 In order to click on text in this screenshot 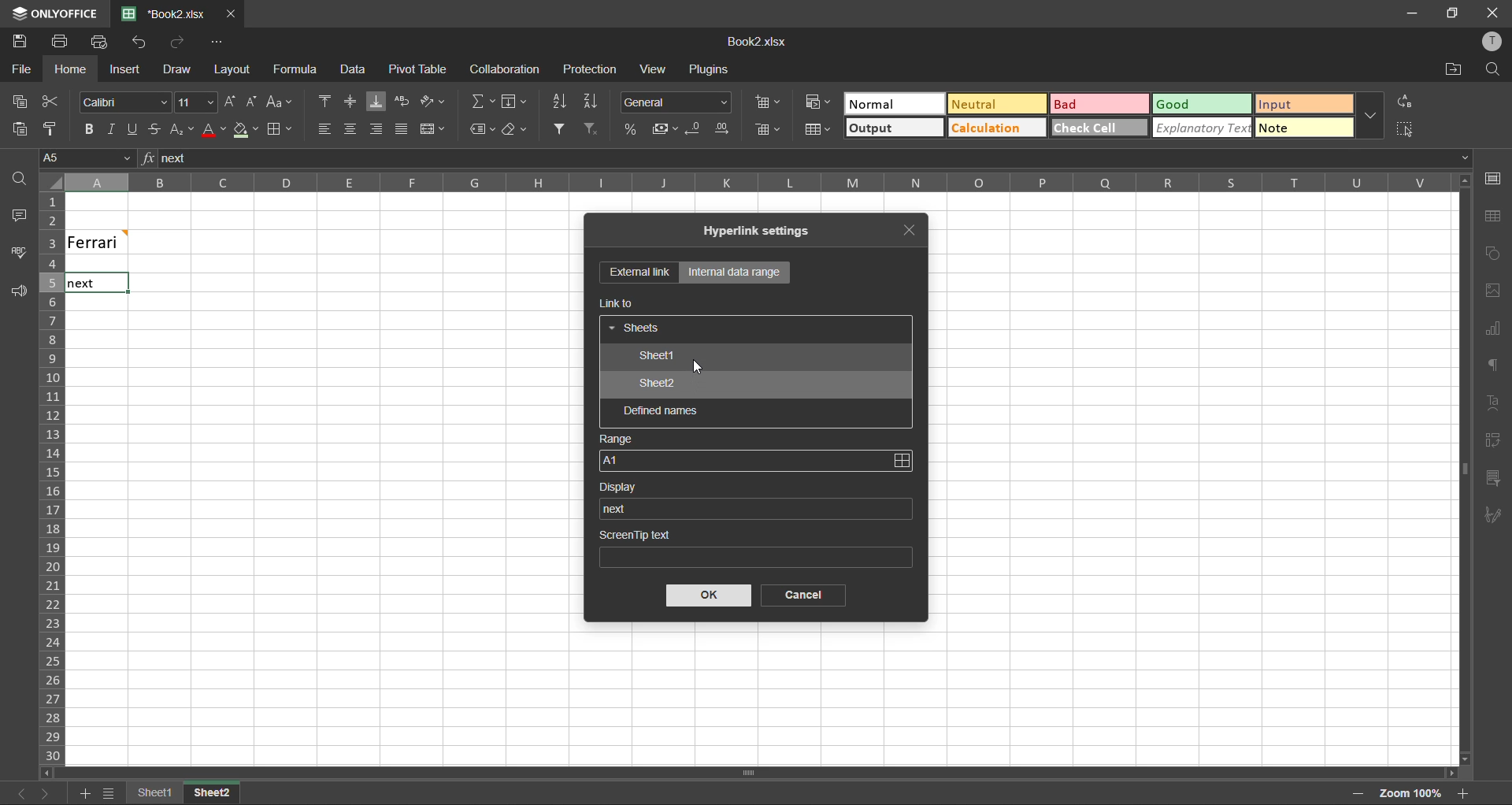, I will do `click(1495, 400)`.